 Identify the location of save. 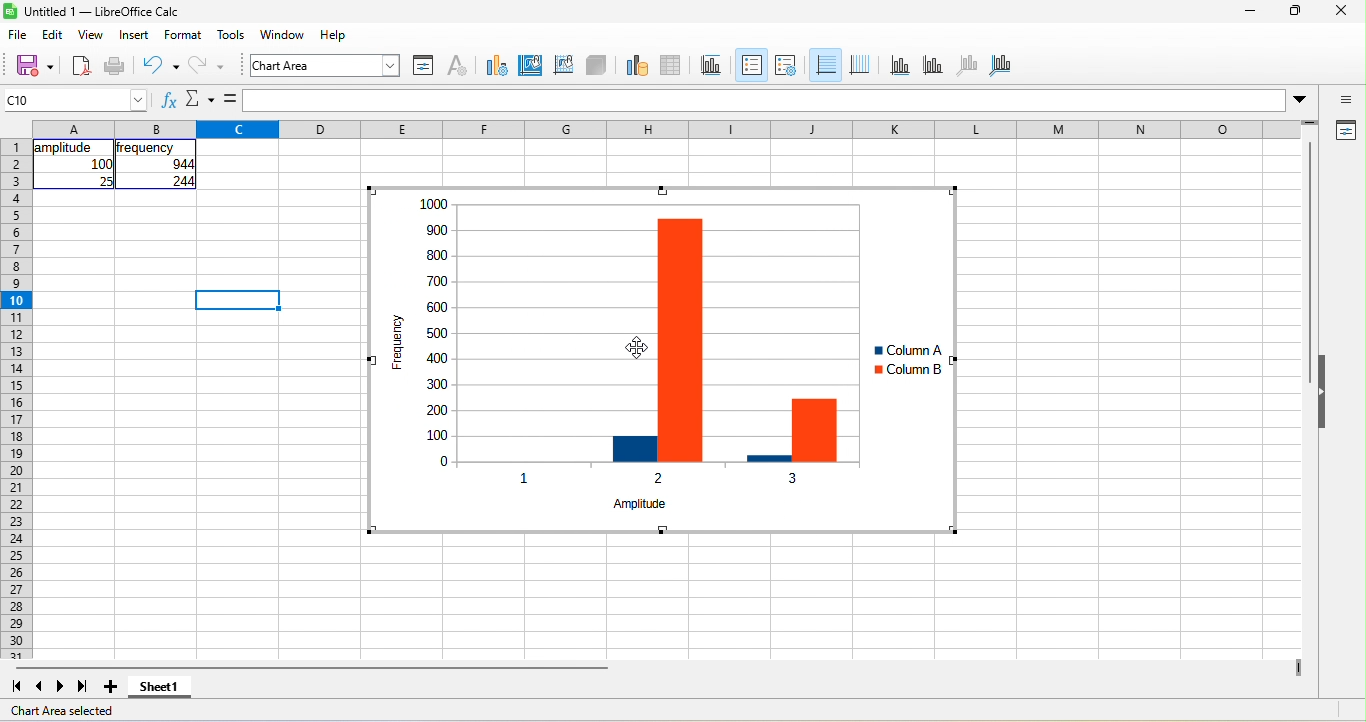
(34, 67).